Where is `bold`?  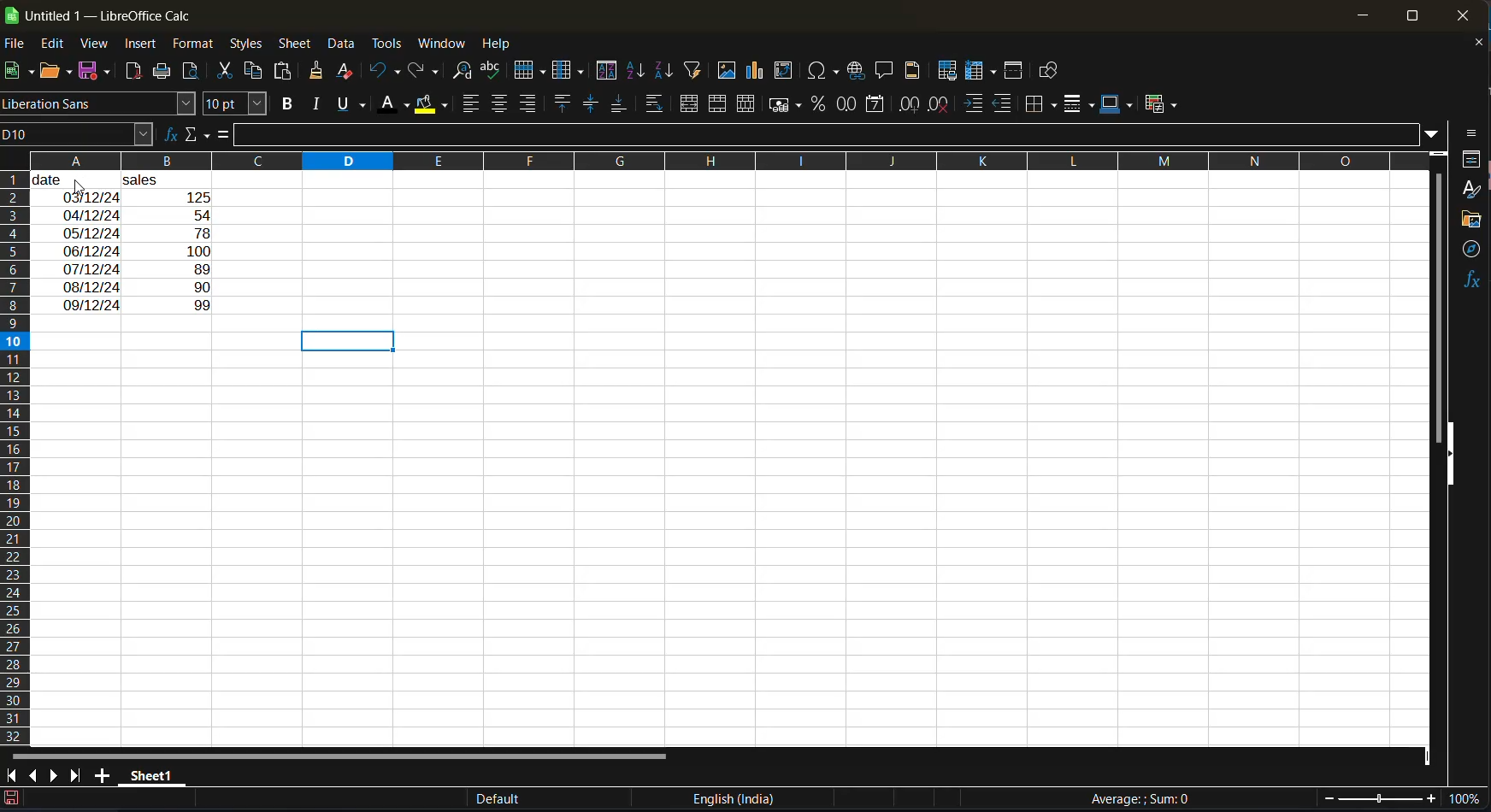
bold is located at coordinates (290, 104).